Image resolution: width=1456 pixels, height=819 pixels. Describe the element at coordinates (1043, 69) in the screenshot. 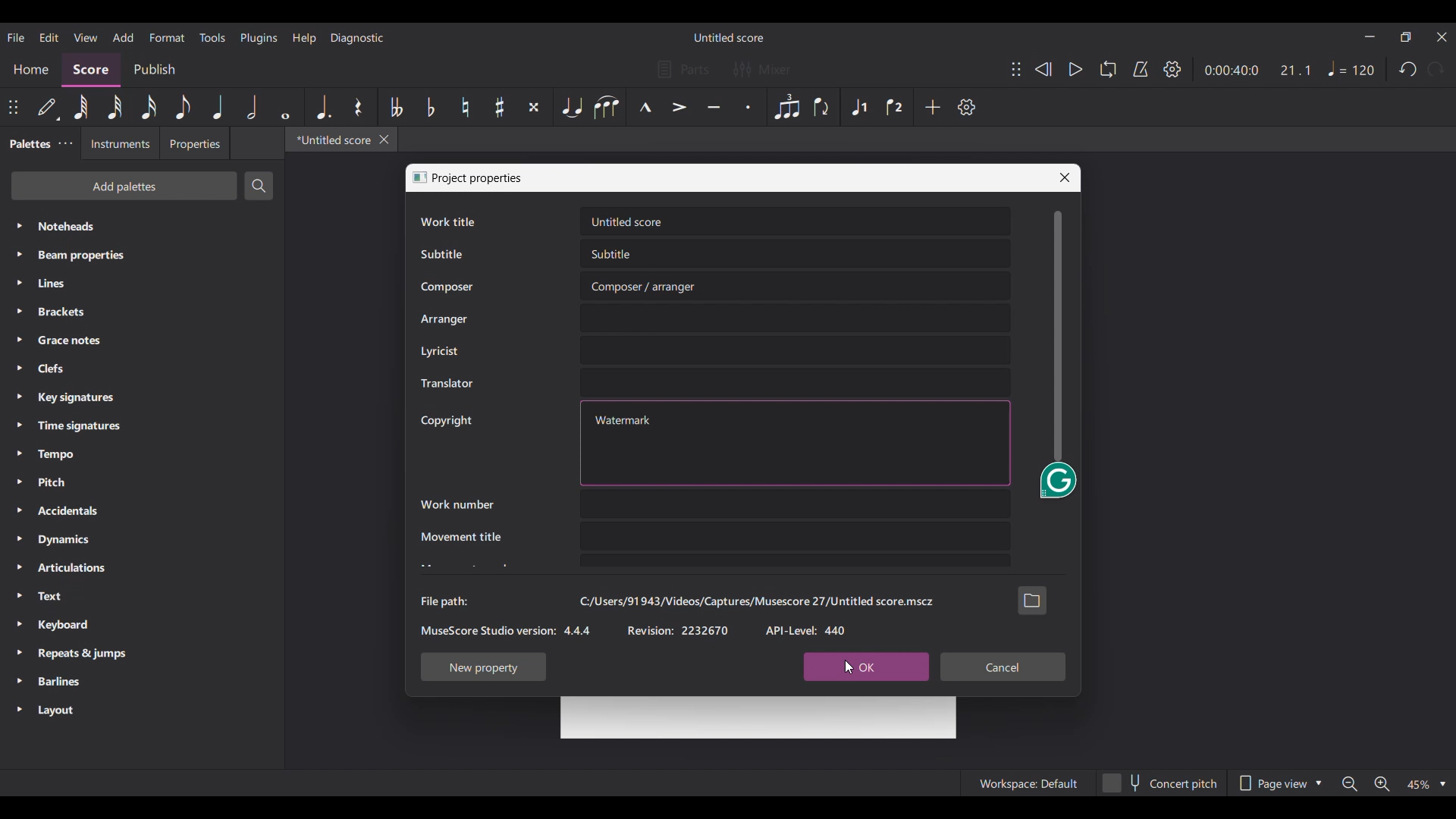

I see `Rewind` at that location.